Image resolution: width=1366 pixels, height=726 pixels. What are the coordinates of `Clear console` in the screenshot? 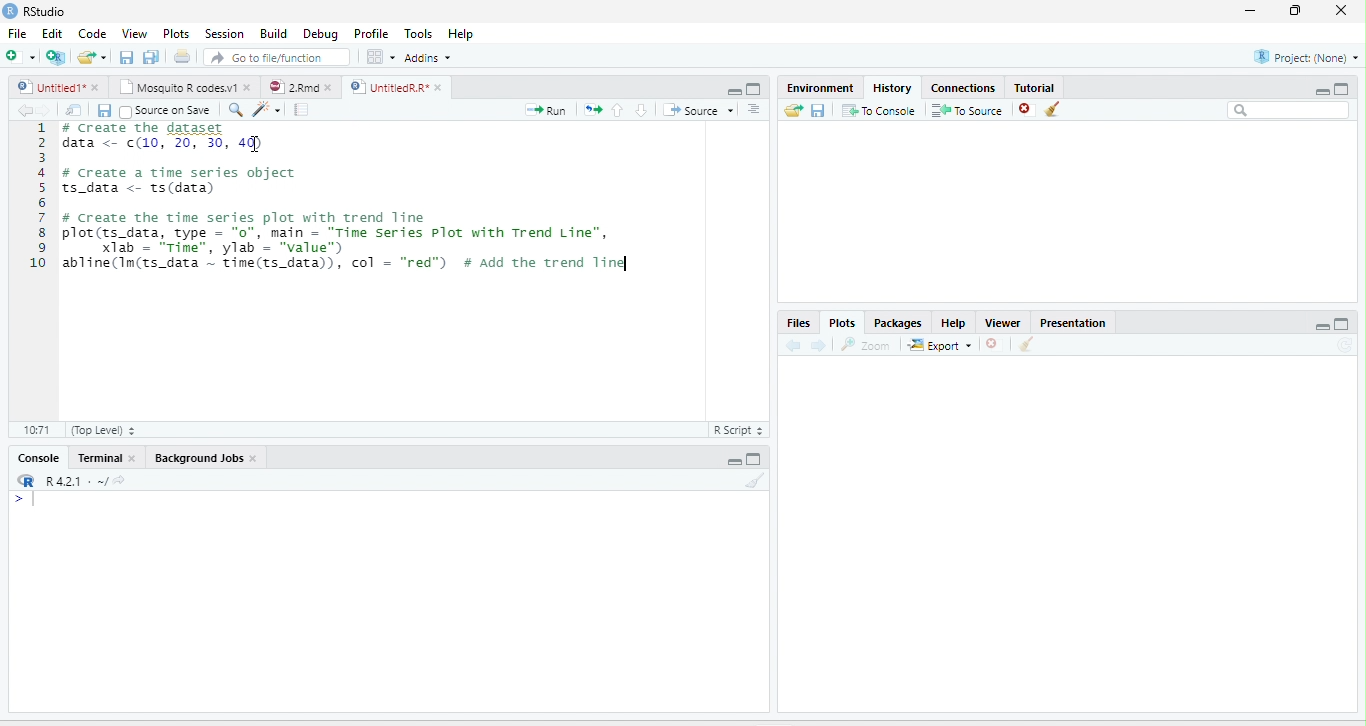 It's located at (756, 480).